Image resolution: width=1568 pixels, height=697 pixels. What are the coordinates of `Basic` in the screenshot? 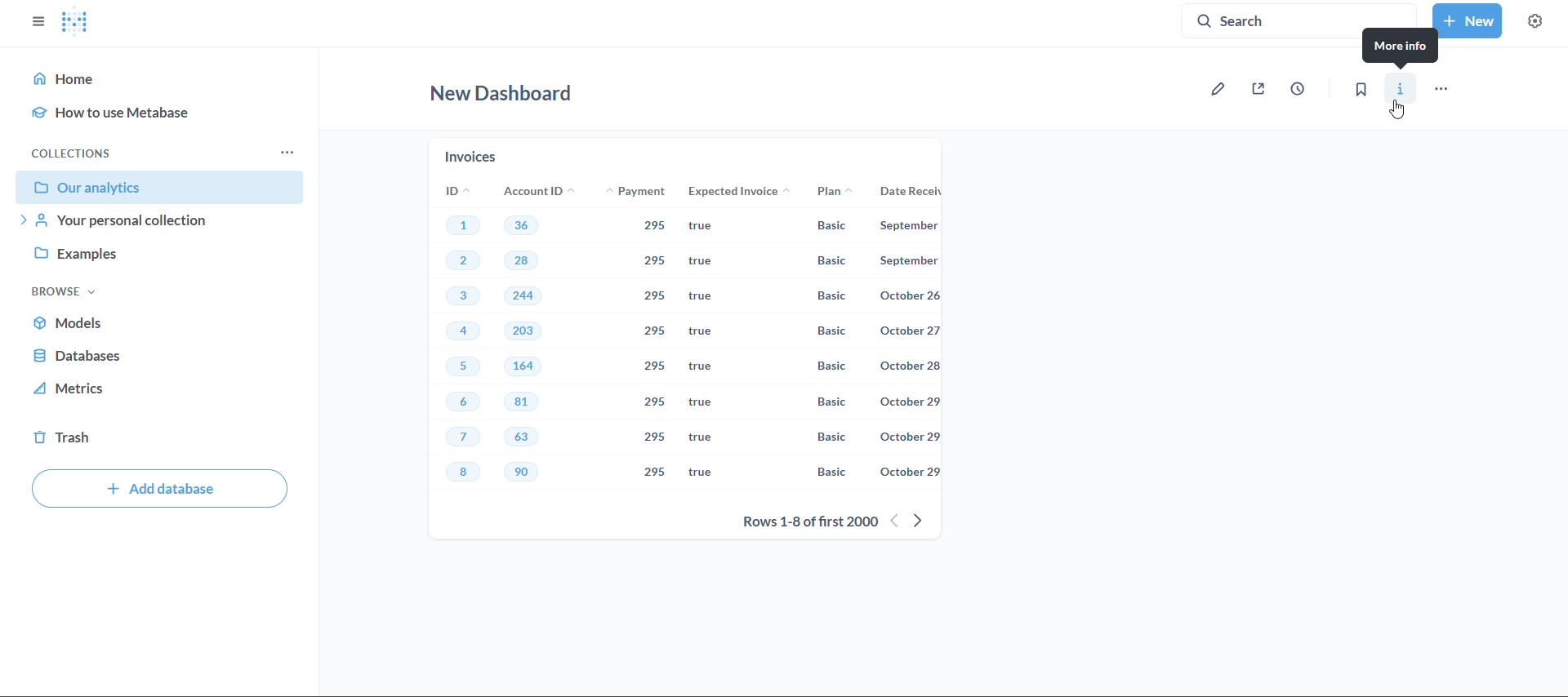 It's located at (832, 402).